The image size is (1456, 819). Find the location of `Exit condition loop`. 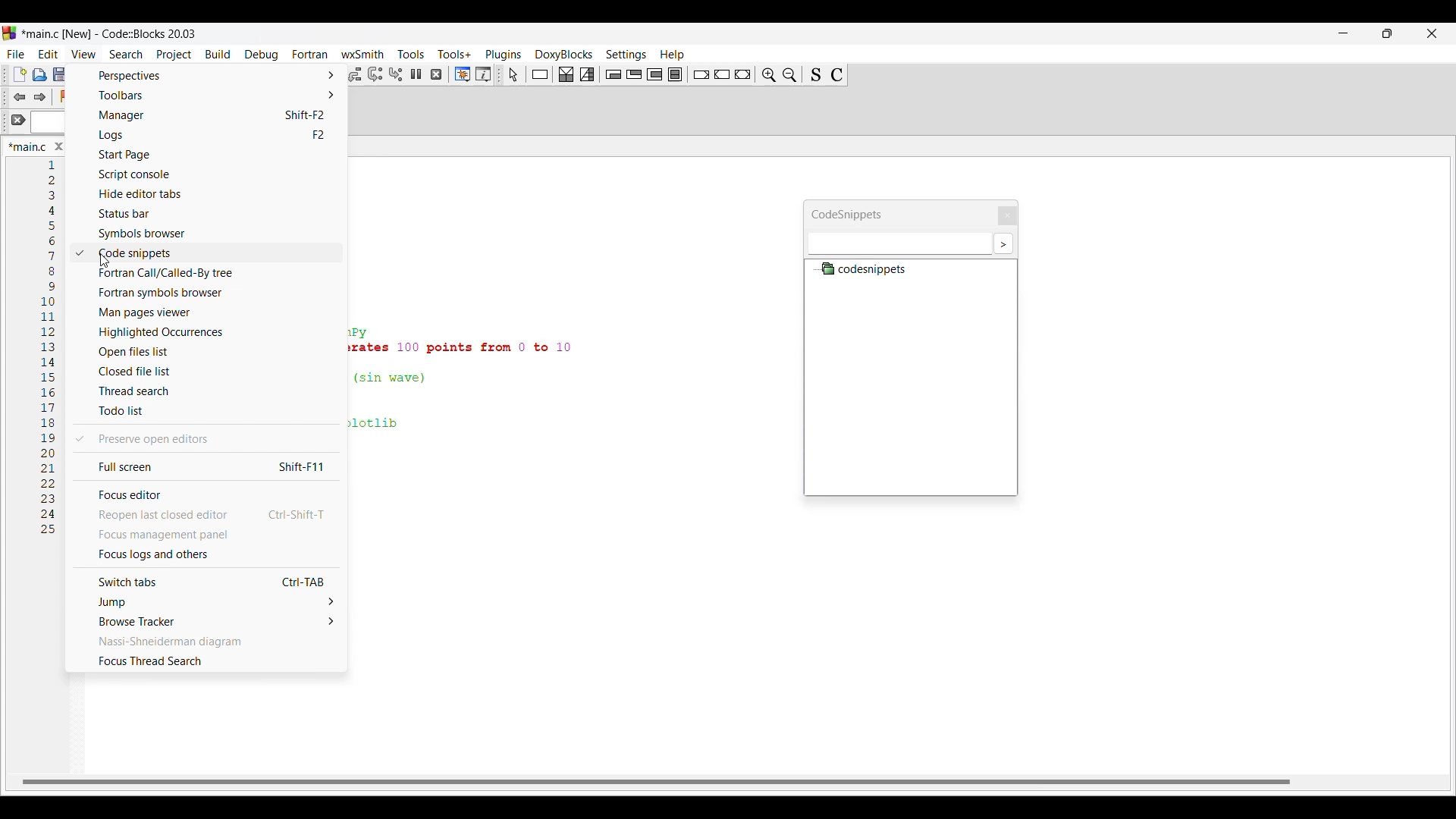

Exit condition loop is located at coordinates (634, 74).